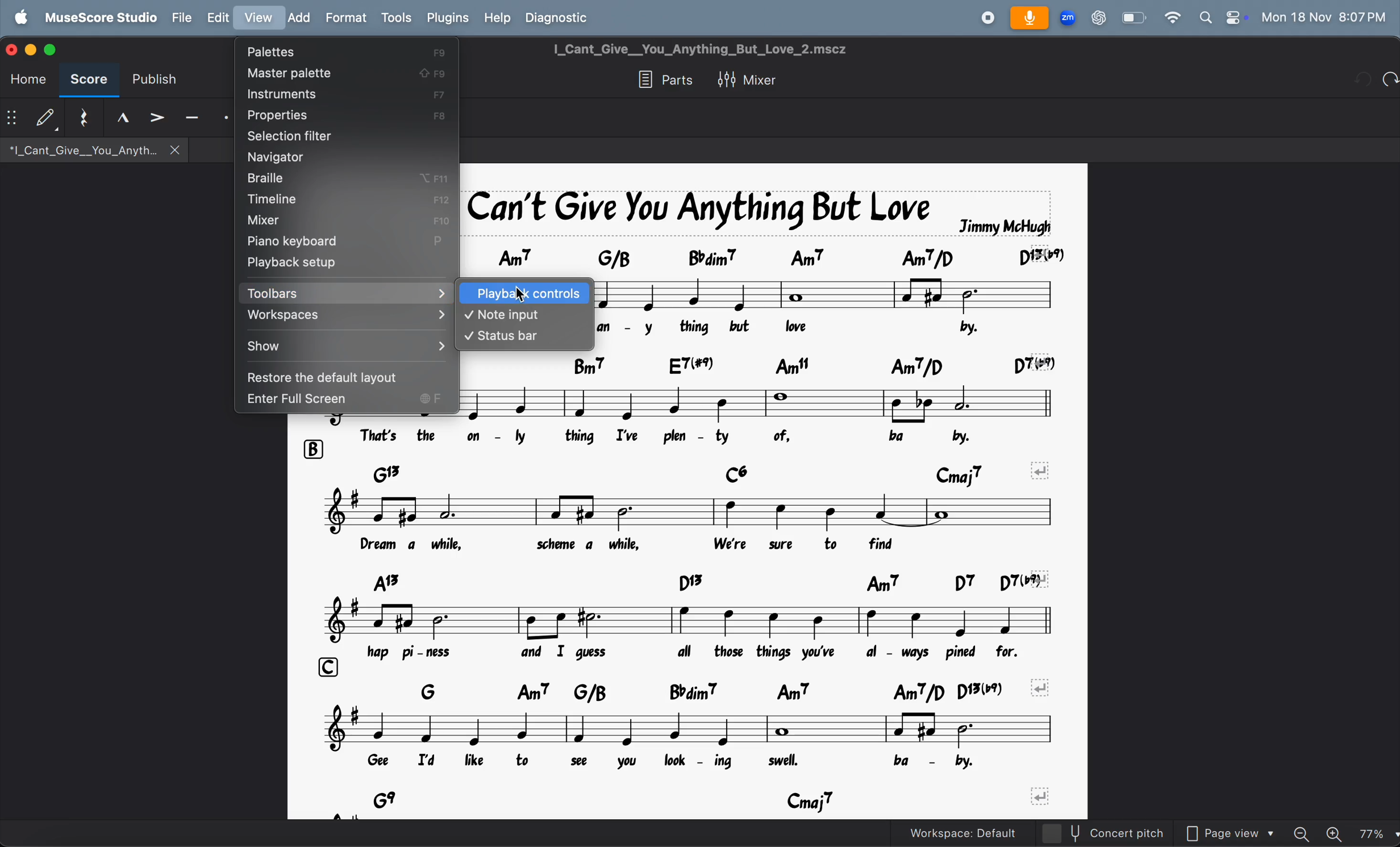  What do you see at coordinates (830, 294) in the screenshot?
I see `notes` at bounding box center [830, 294].